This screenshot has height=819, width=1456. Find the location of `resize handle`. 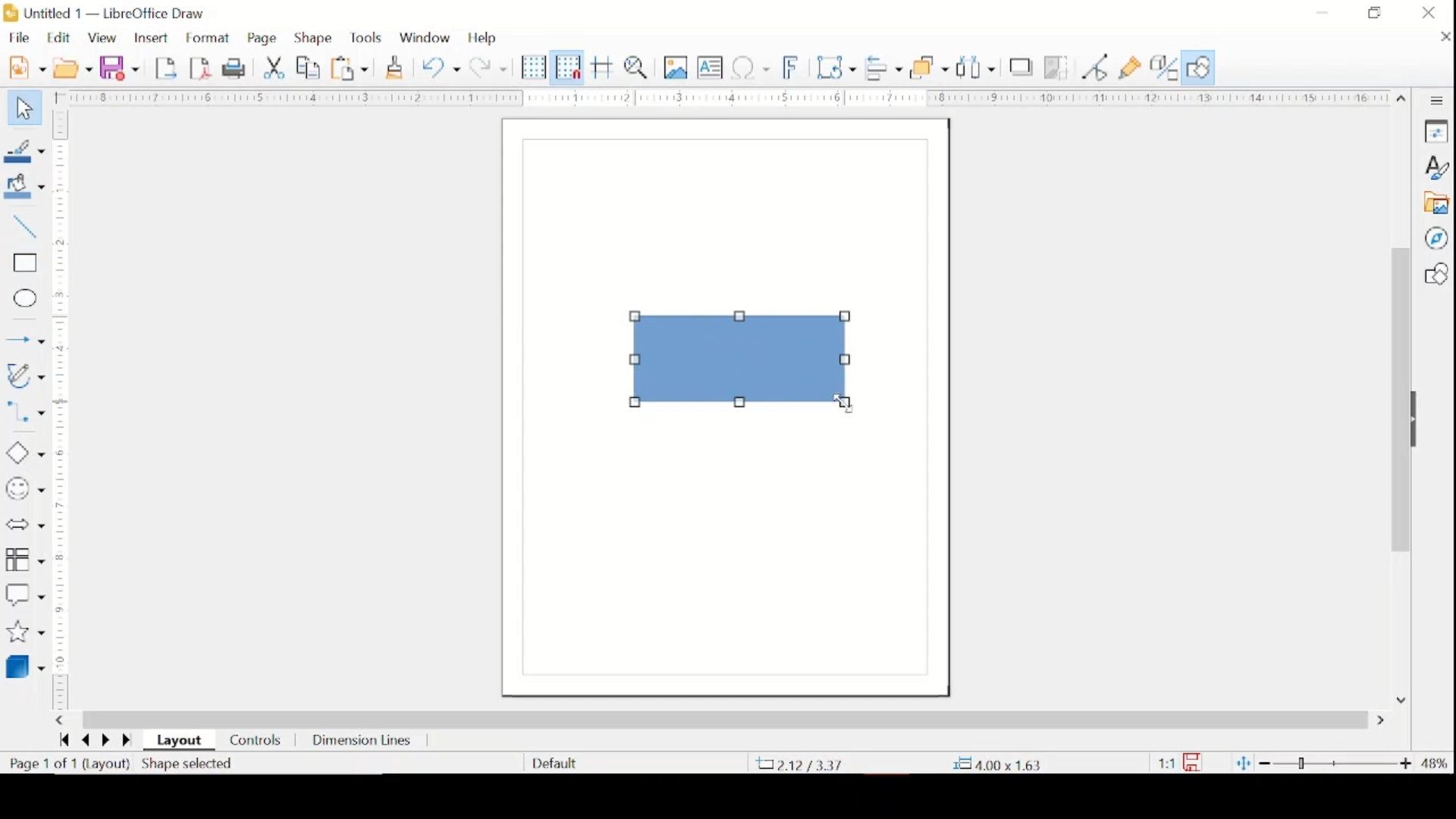

resize handle is located at coordinates (637, 318).